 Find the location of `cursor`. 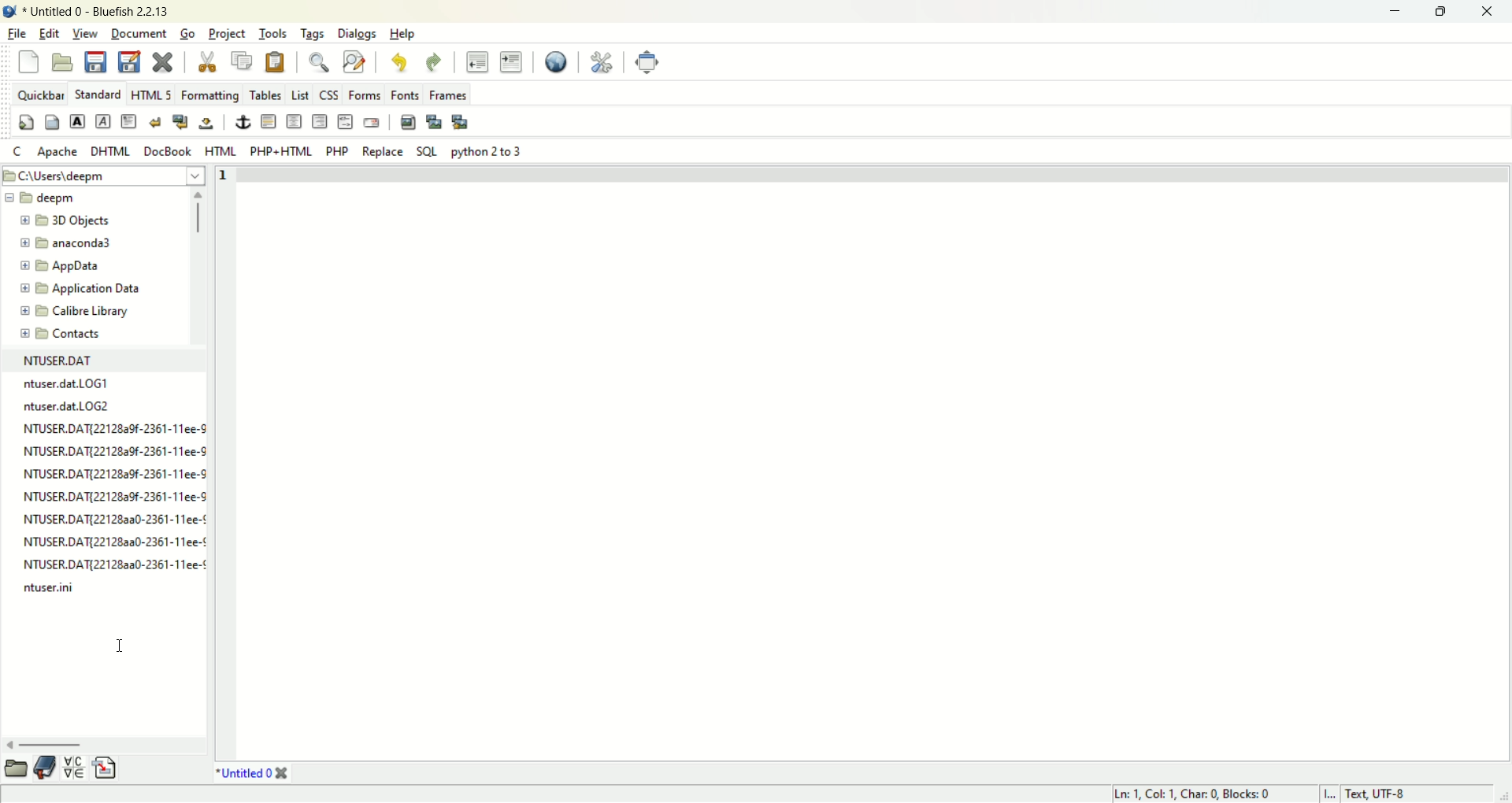

cursor is located at coordinates (120, 646).